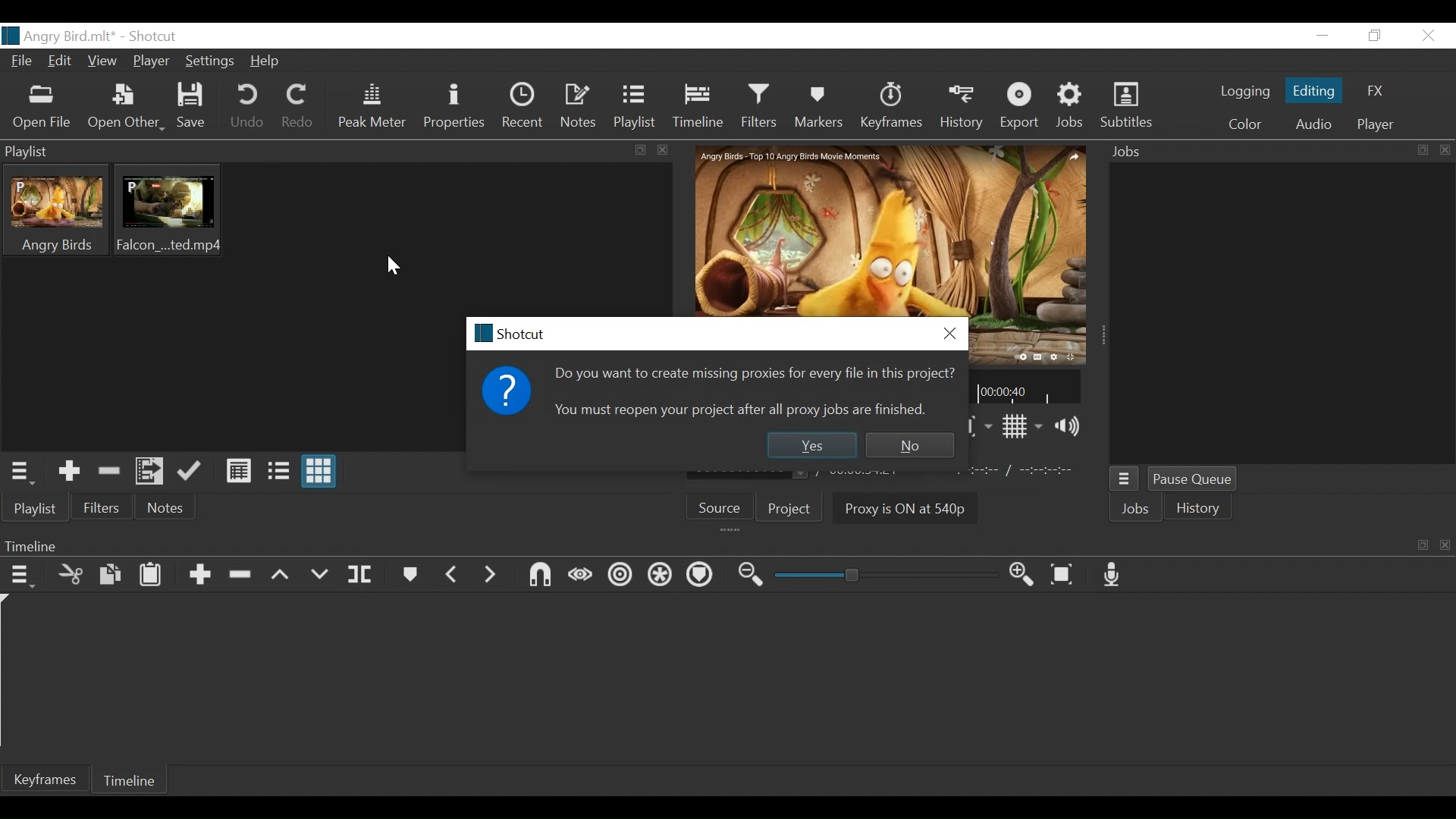  What do you see at coordinates (1199, 509) in the screenshot?
I see `History` at bounding box center [1199, 509].